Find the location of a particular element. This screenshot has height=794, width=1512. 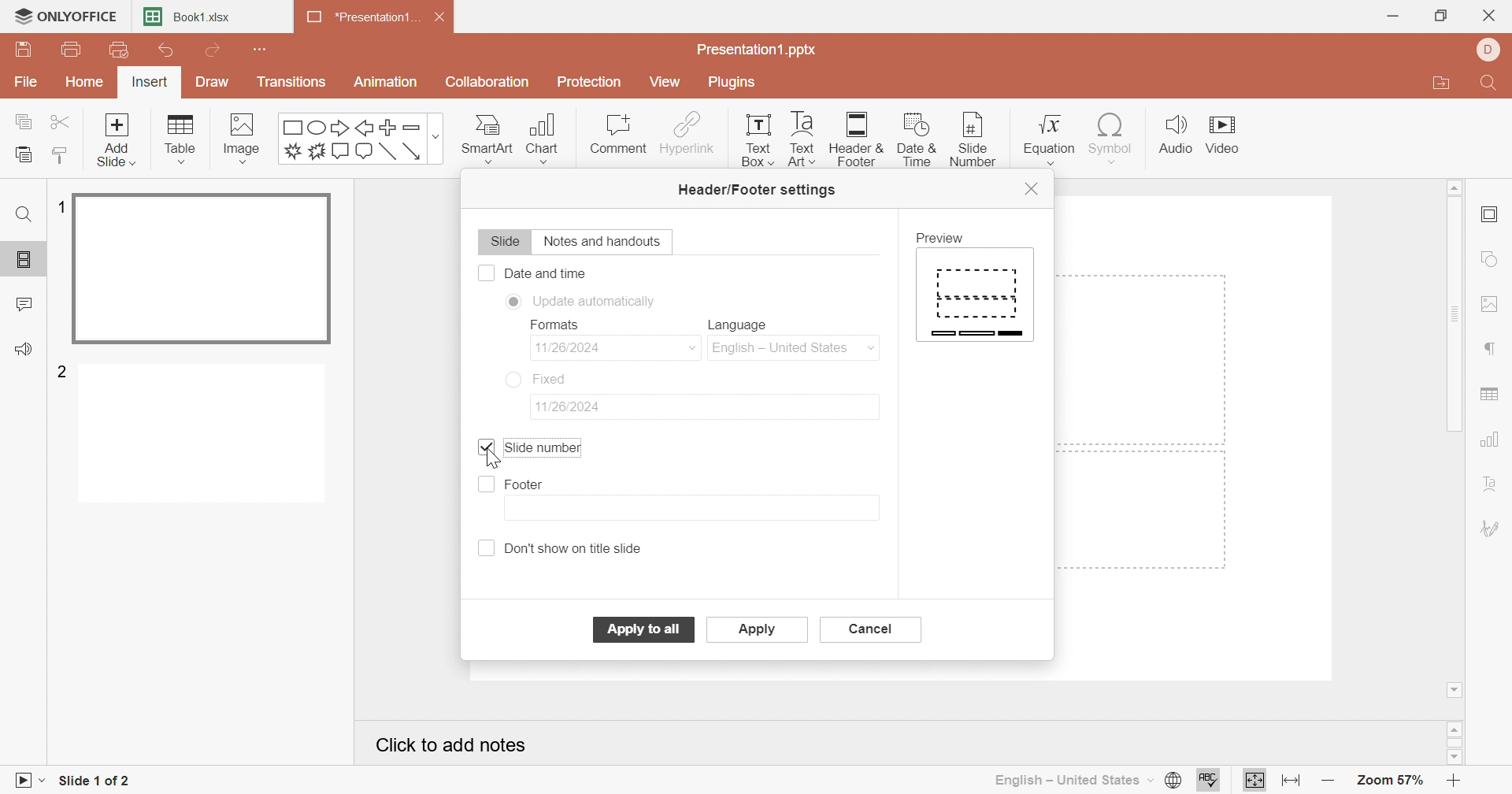

Zoom in is located at coordinates (1459, 781).